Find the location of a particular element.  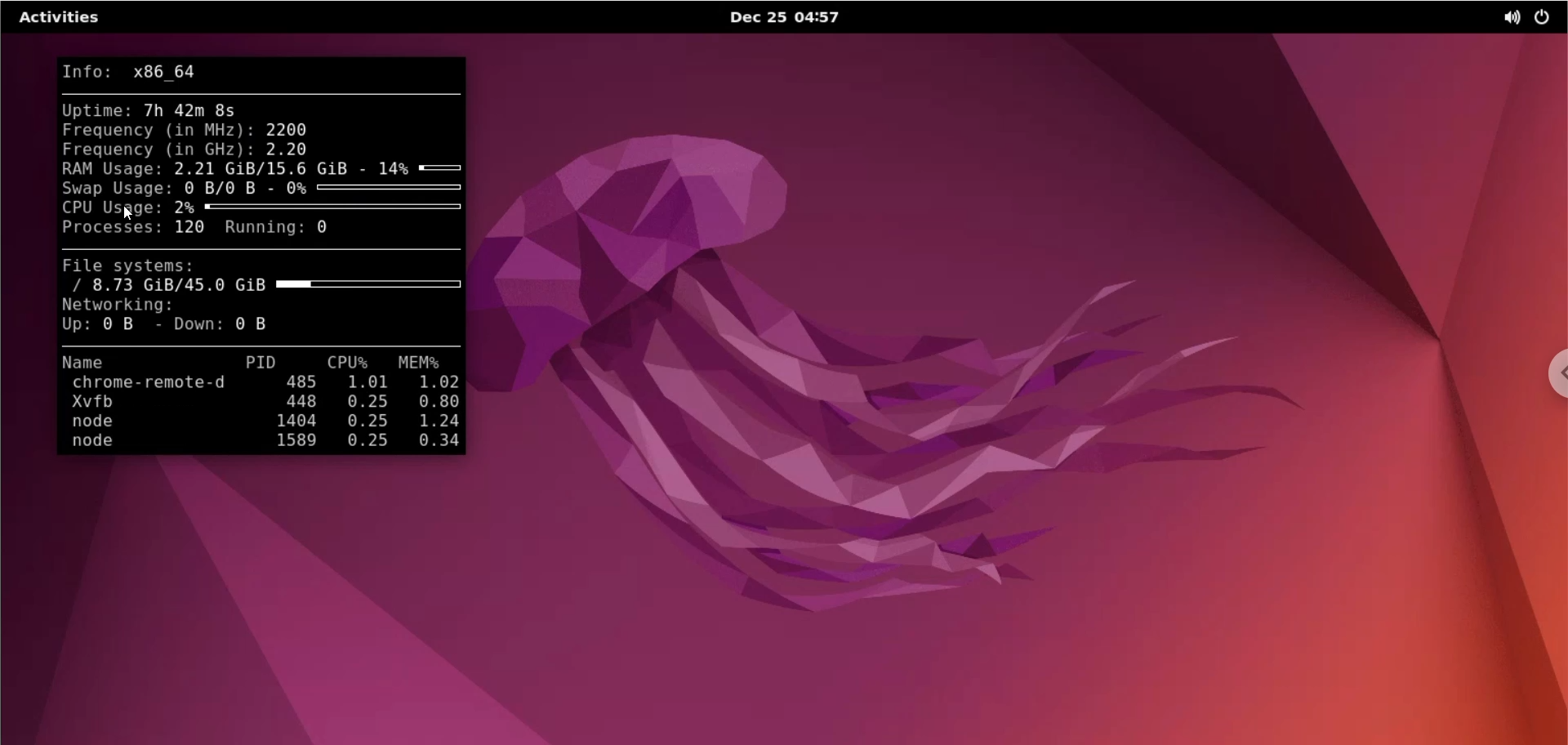

activities is located at coordinates (60, 18).